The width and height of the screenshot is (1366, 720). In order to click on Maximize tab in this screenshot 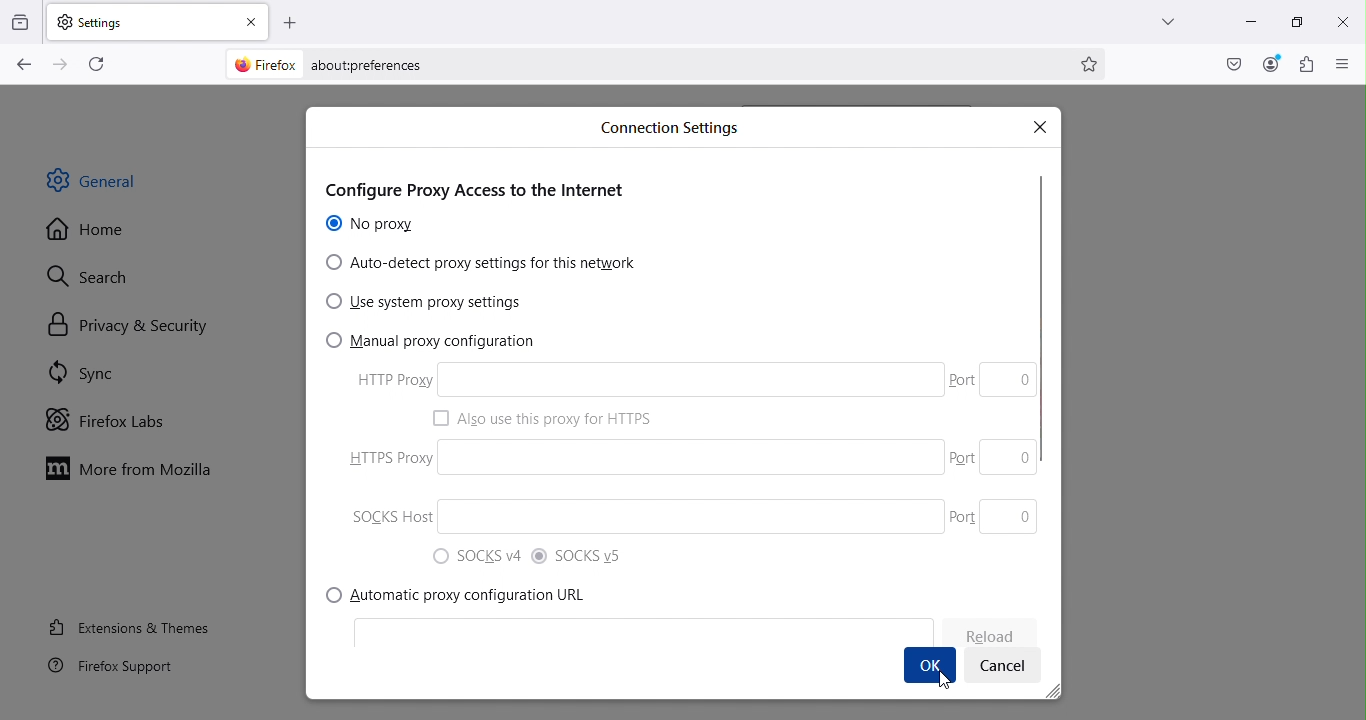, I will do `click(1293, 19)`.